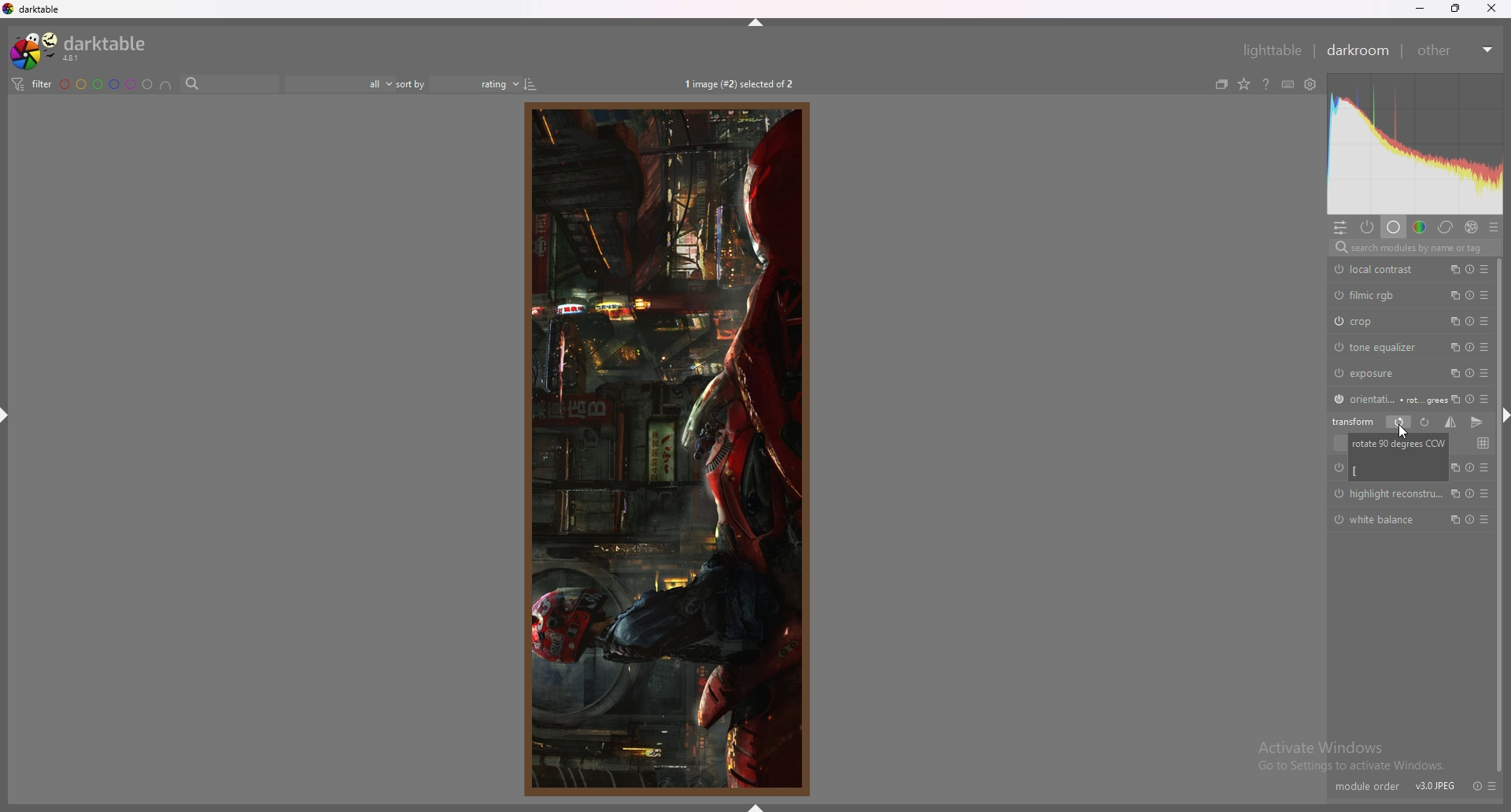 This screenshot has height=812, width=1511. What do you see at coordinates (1402, 432) in the screenshot?
I see `cursor` at bounding box center [1402, 432].